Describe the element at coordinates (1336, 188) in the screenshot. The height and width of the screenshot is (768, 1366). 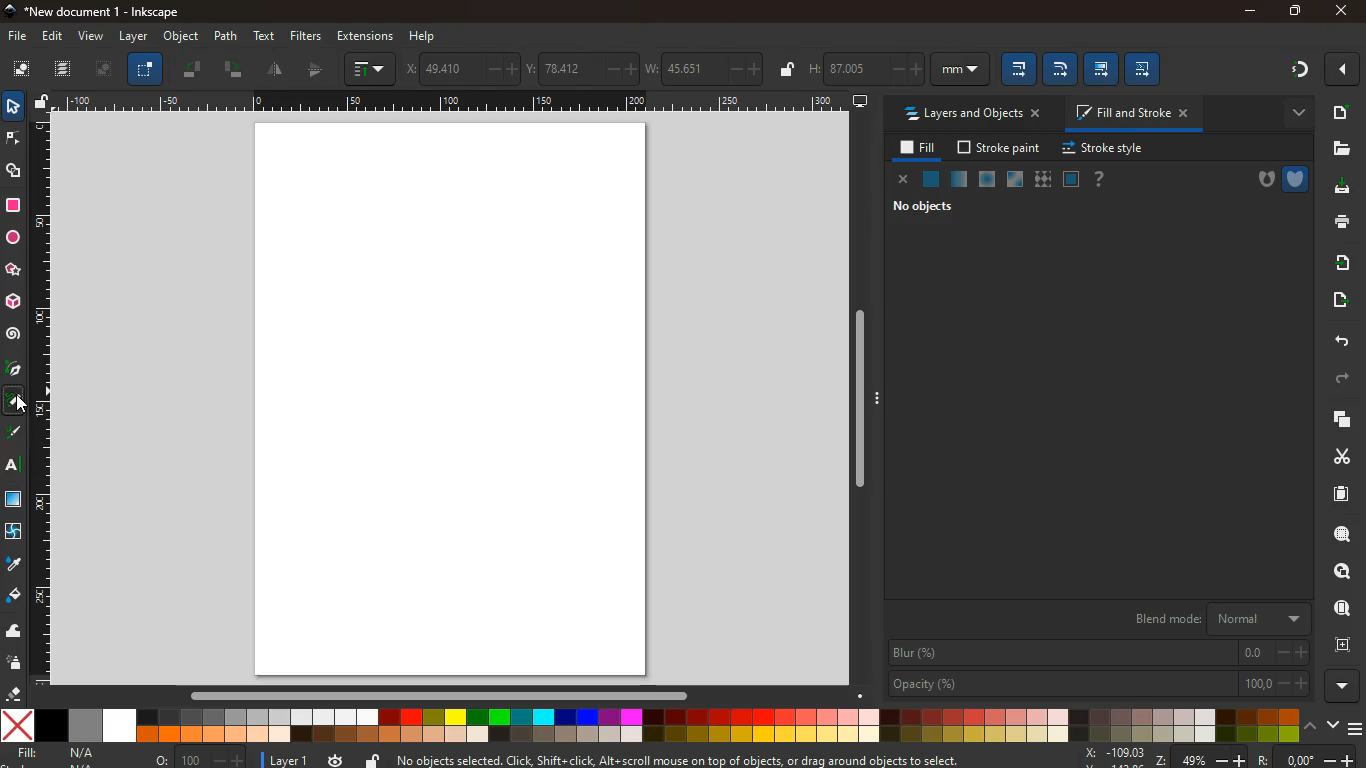
I see `download` at that location.